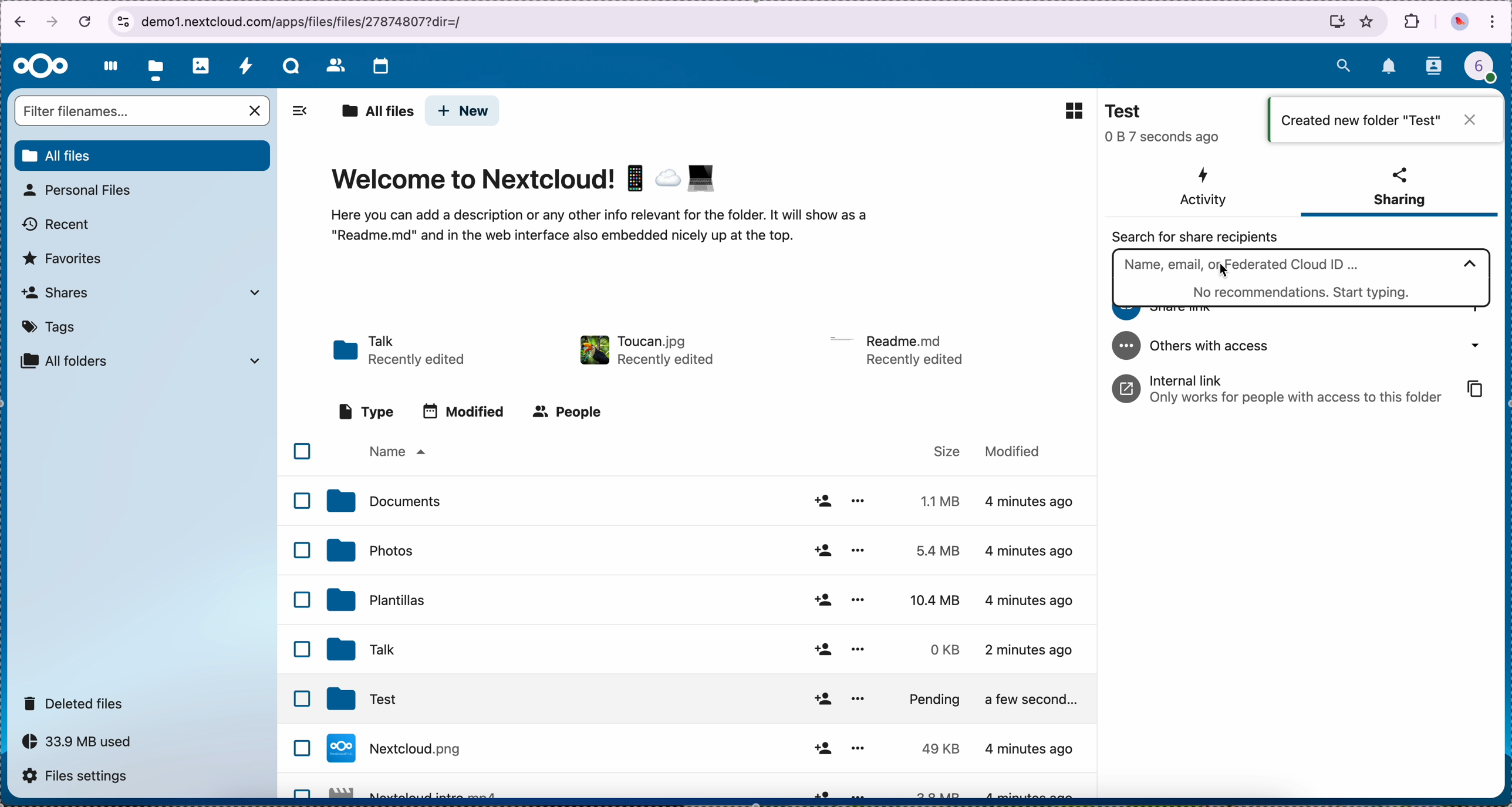 The height and width of the screenshot is (807, 1512). I want to click on customize and control Google Chrome, so click(1493, 23).